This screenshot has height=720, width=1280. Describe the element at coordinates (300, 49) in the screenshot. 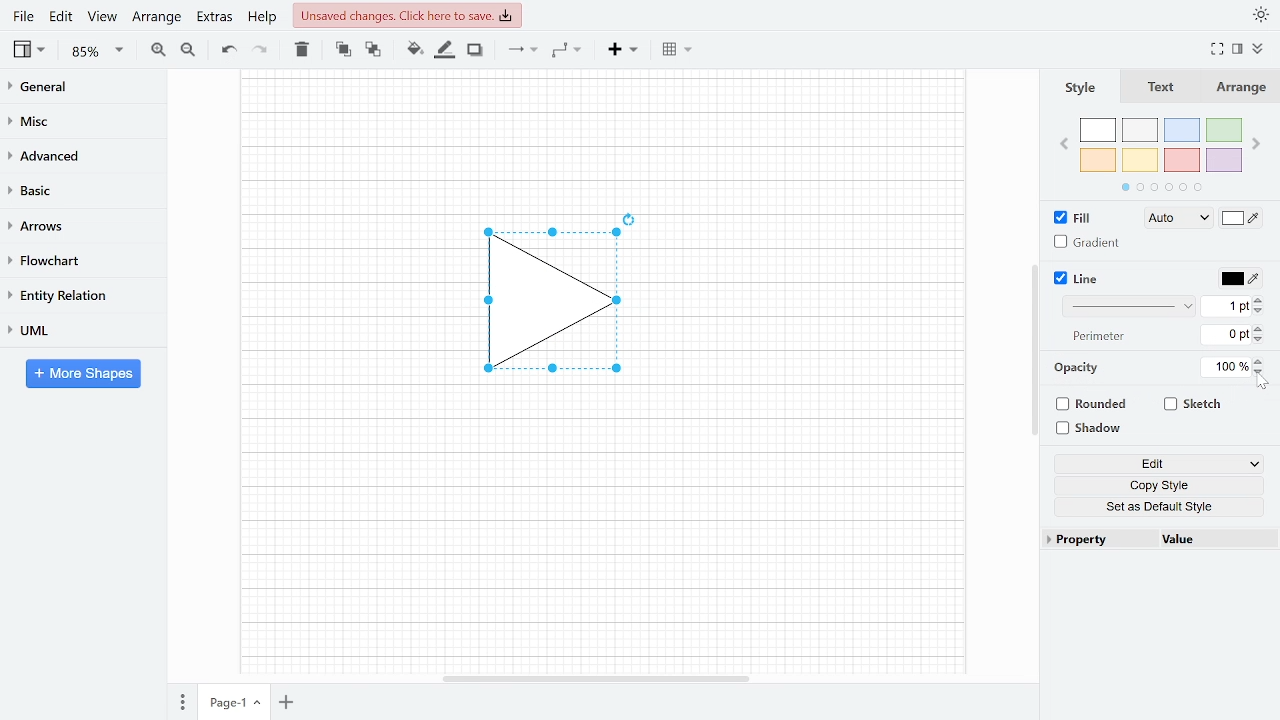

I see `Delete` at that location.